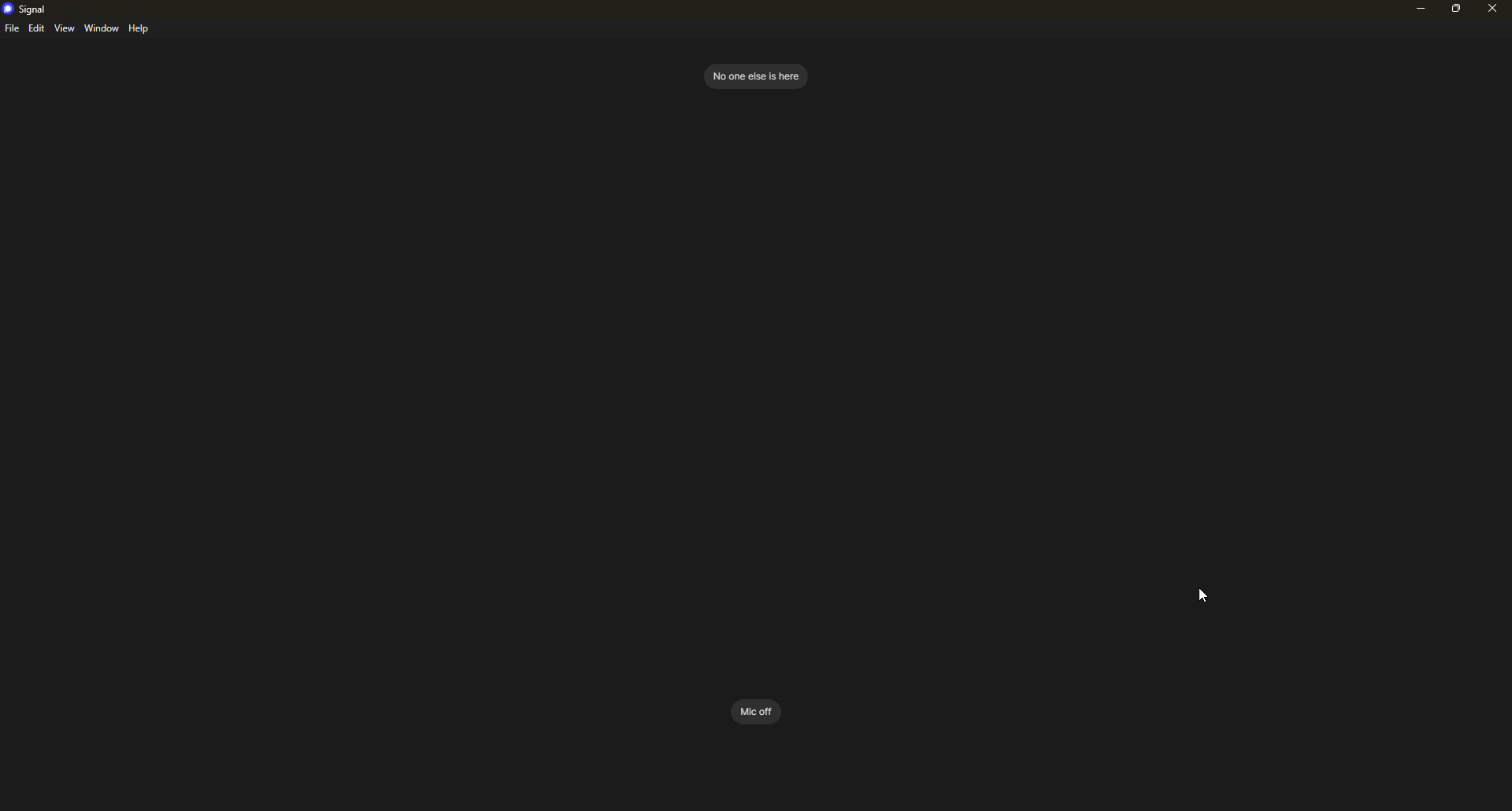  What do you see at coordinates (142, 29) in the screenshot?
I see `help` at bounding box center [142, 29].